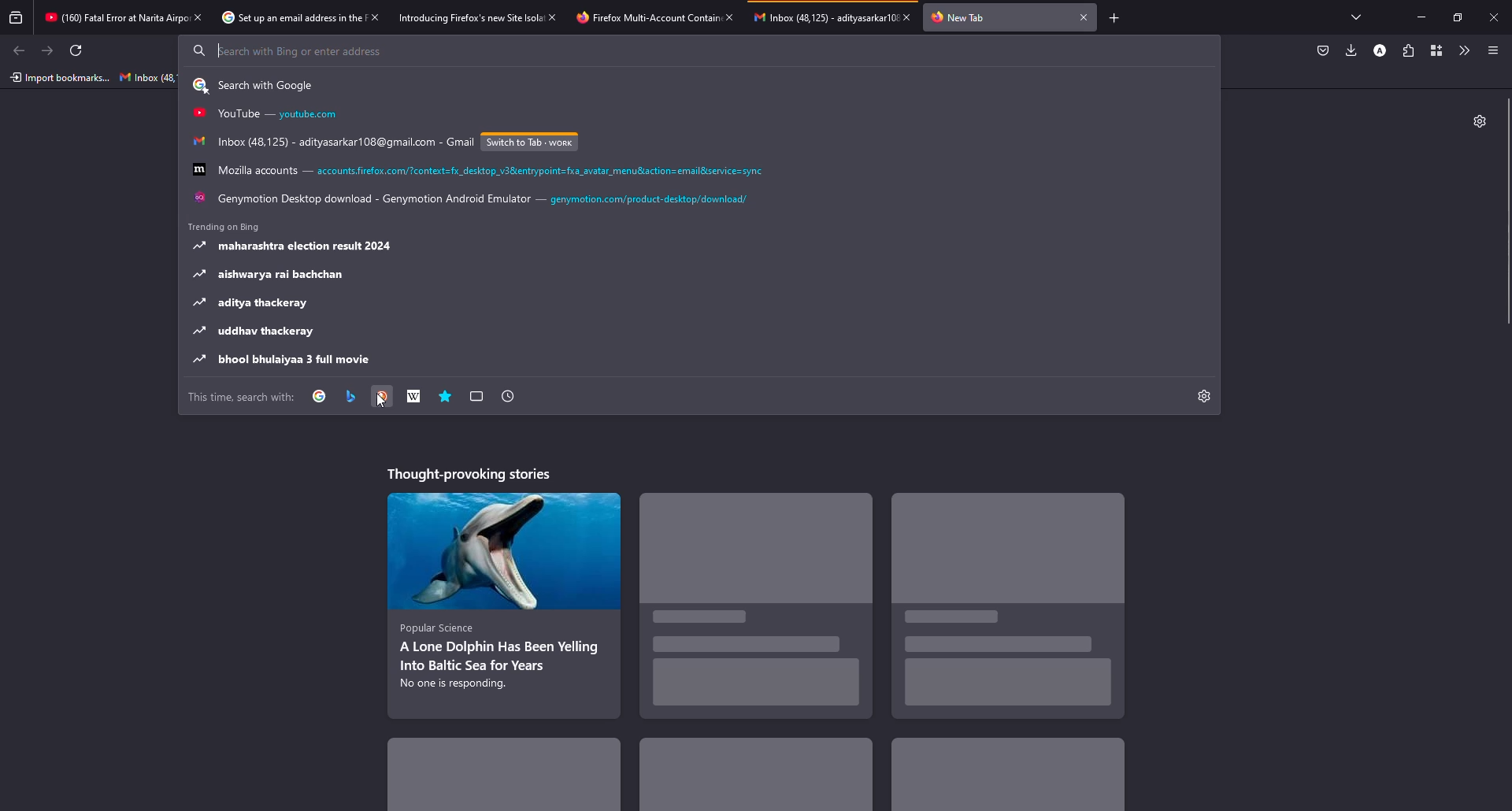 The height and width of the screenshot is (811, 1512). Describe the element at coordinates (49, 50) in the screenshot. I see `` at that location.